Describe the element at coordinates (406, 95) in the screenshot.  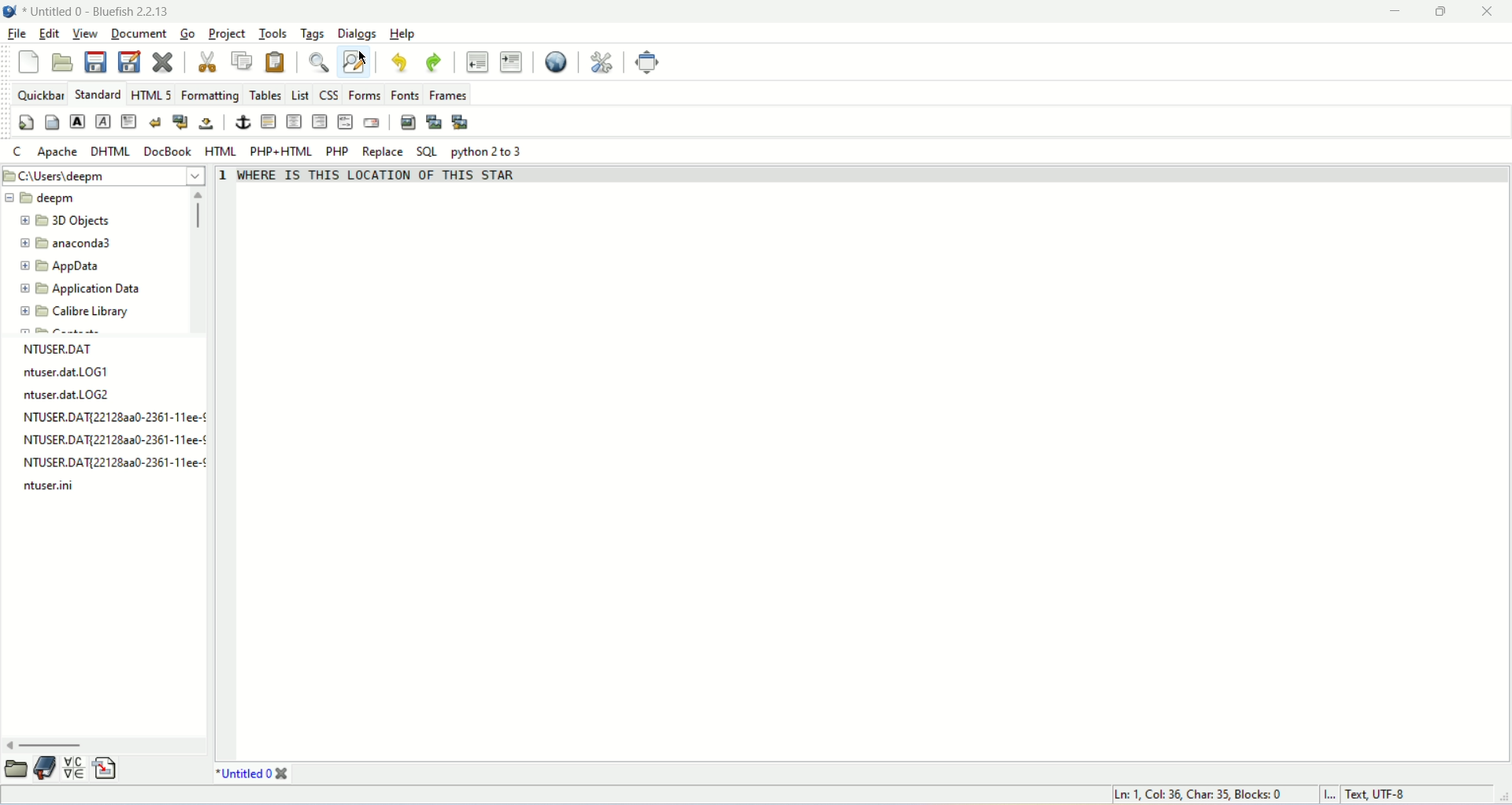
I see `fonts` at that location.